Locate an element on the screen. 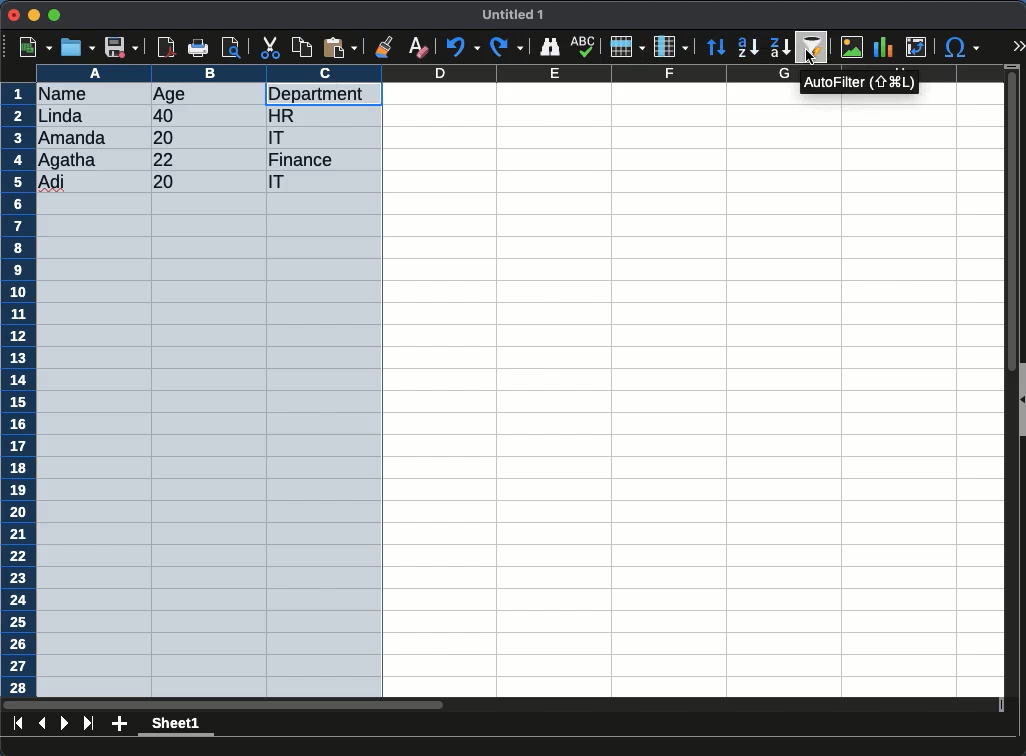  clone formatting is located at coordinates (386, 46).